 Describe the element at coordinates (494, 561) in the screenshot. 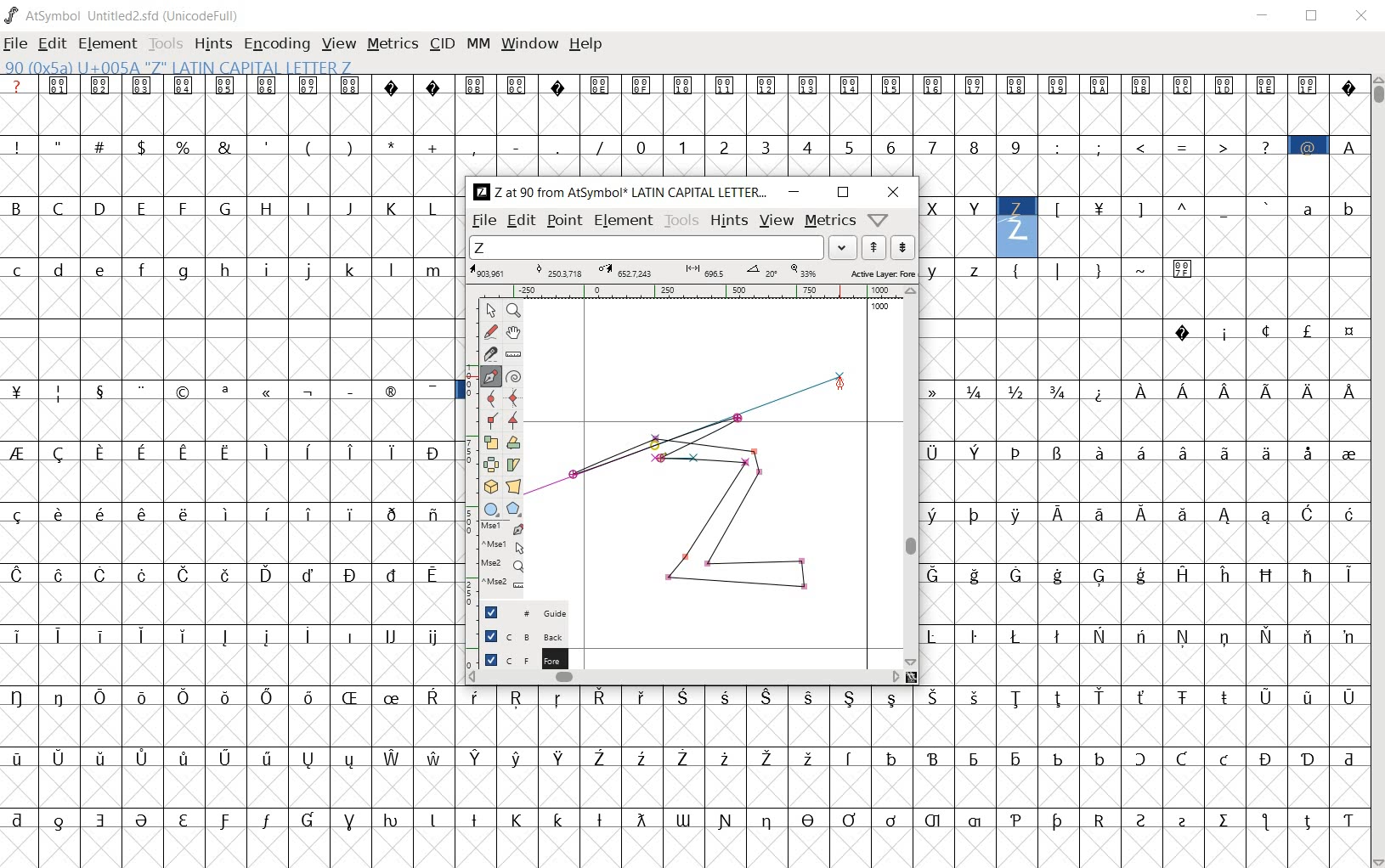

I see `mse1 mse1 mse2 mse2` at that location.